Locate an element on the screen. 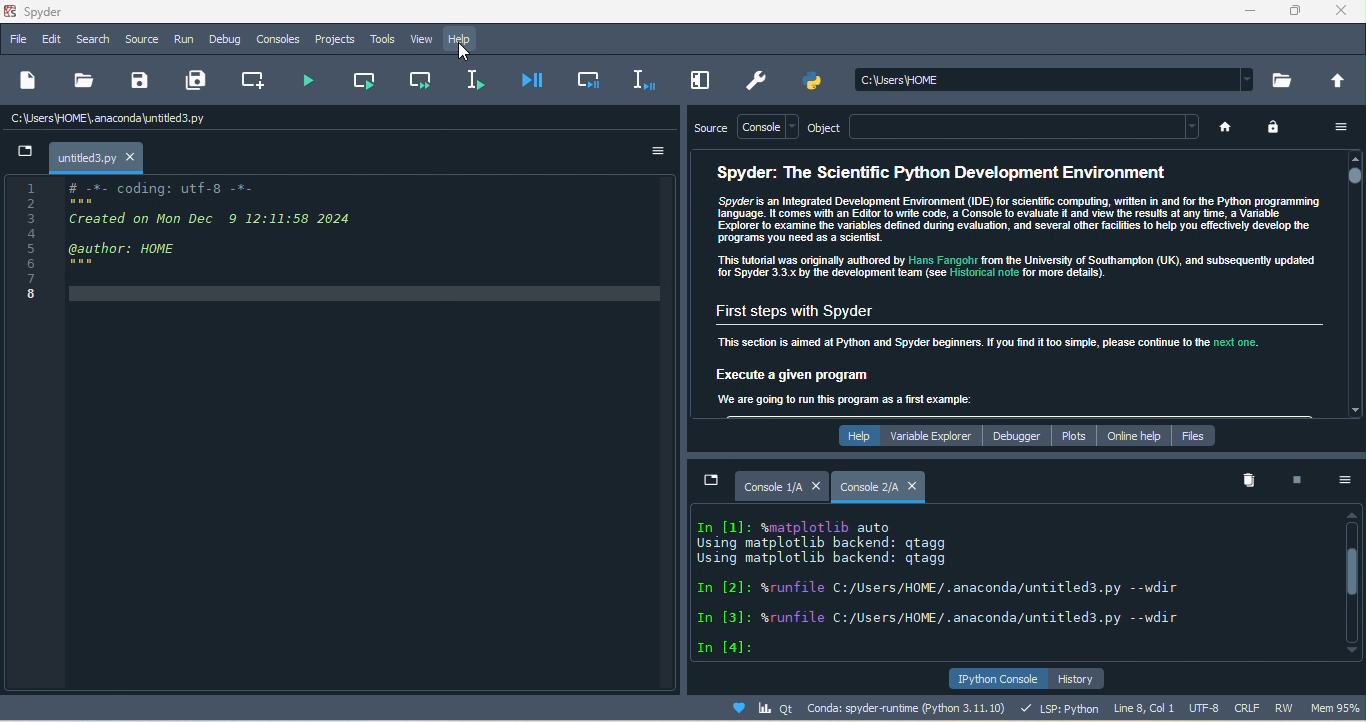 The width and height of the screenshot is (1366, 722). console is located at coordinates (280, 40).